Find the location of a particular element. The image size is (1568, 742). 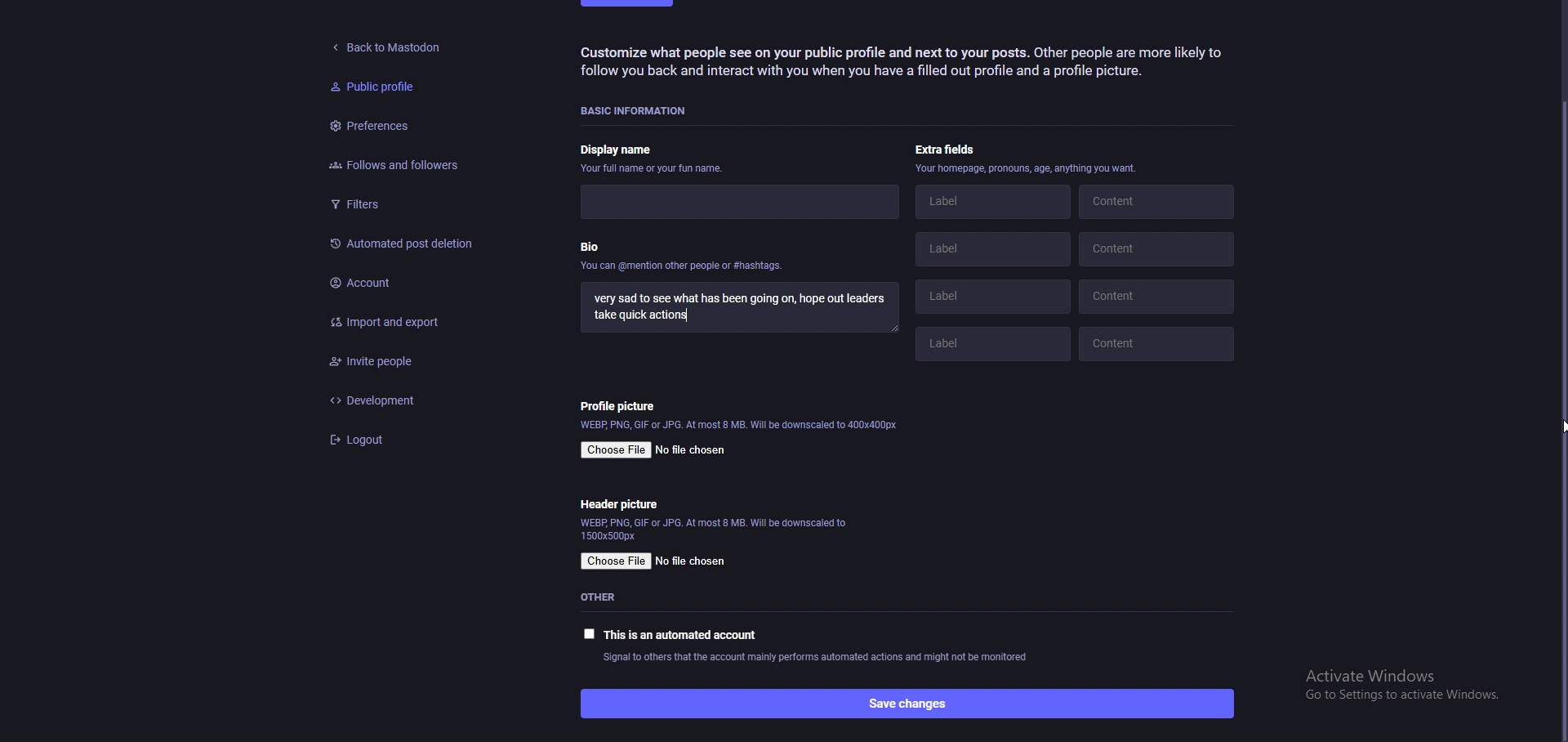

back to mastodon is located at coordinates (390, 43).